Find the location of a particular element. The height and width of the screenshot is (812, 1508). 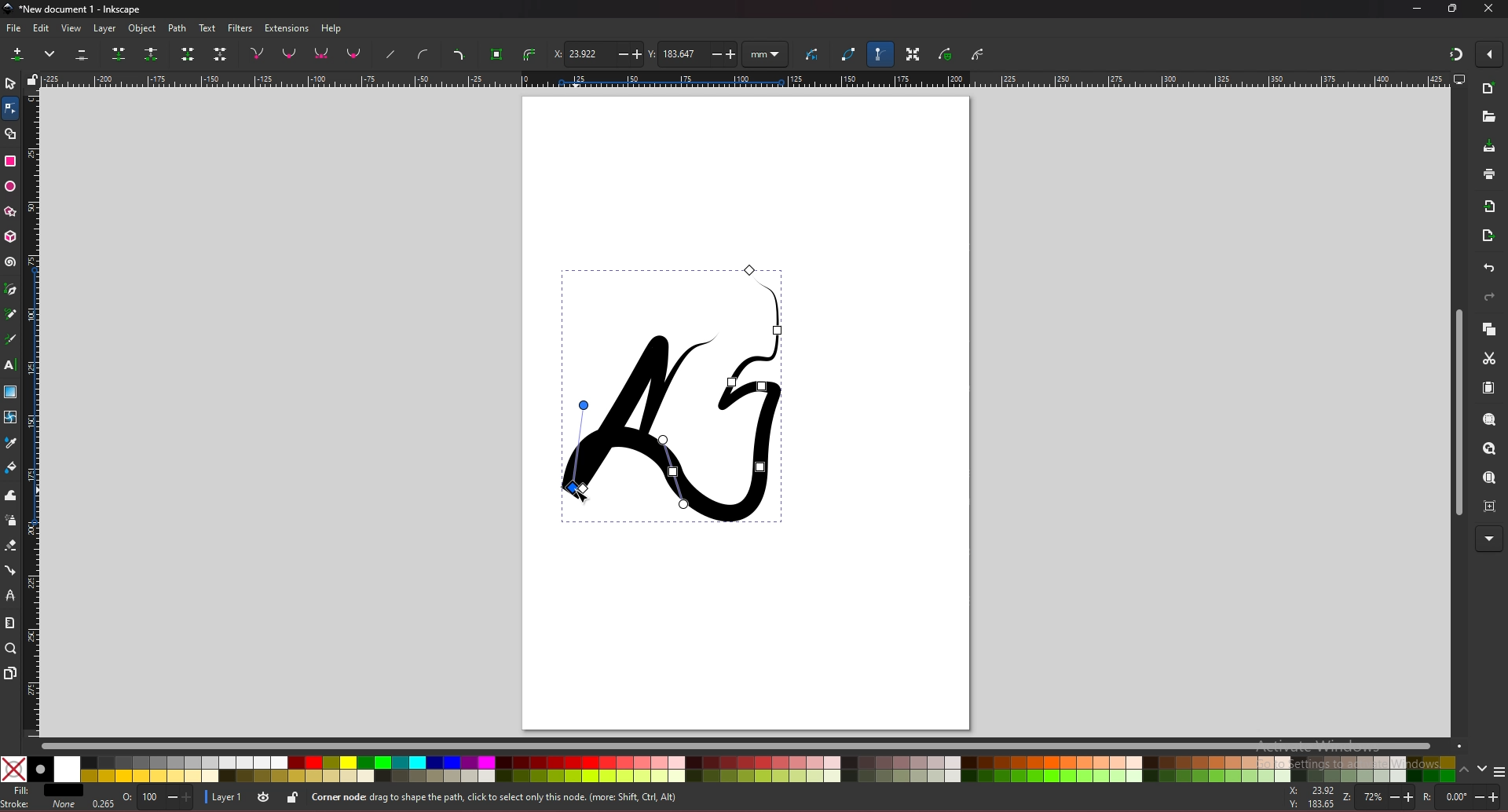

more is located at coordinates (1488, 539).